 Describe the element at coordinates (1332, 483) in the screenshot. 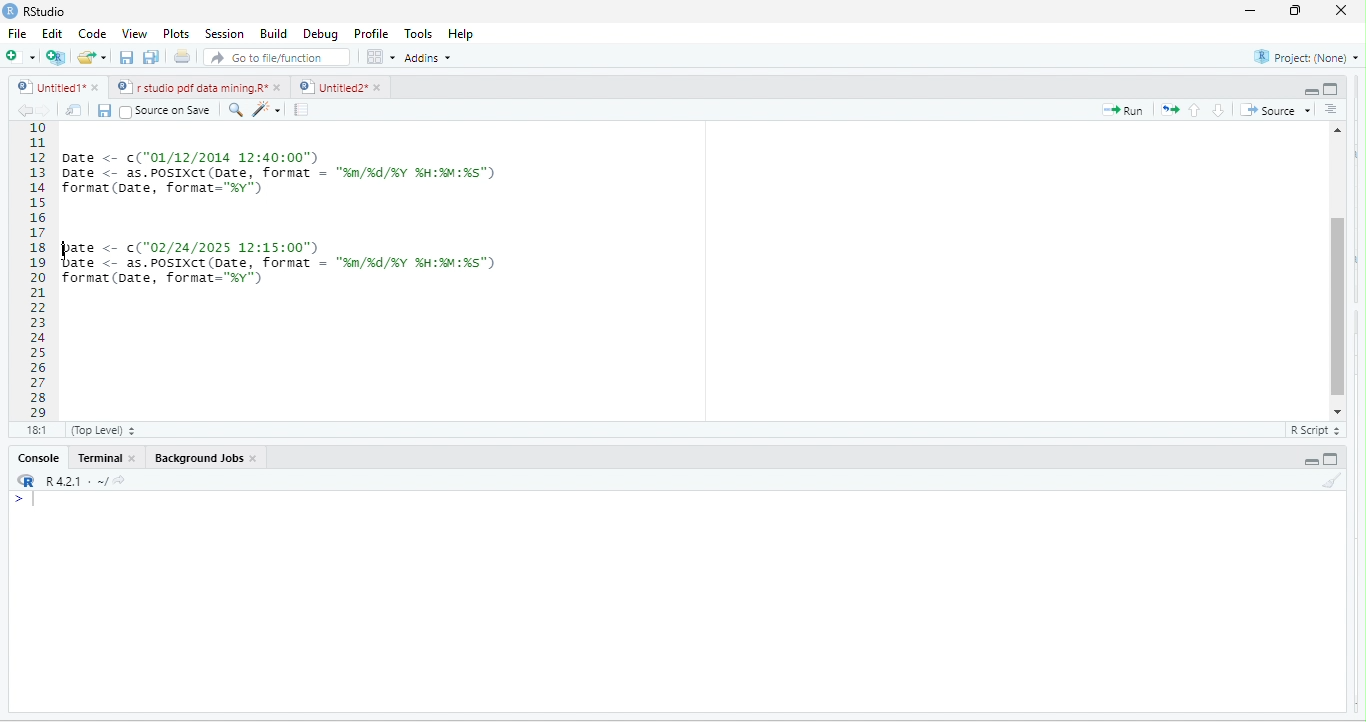

I see `clear console` at that location.